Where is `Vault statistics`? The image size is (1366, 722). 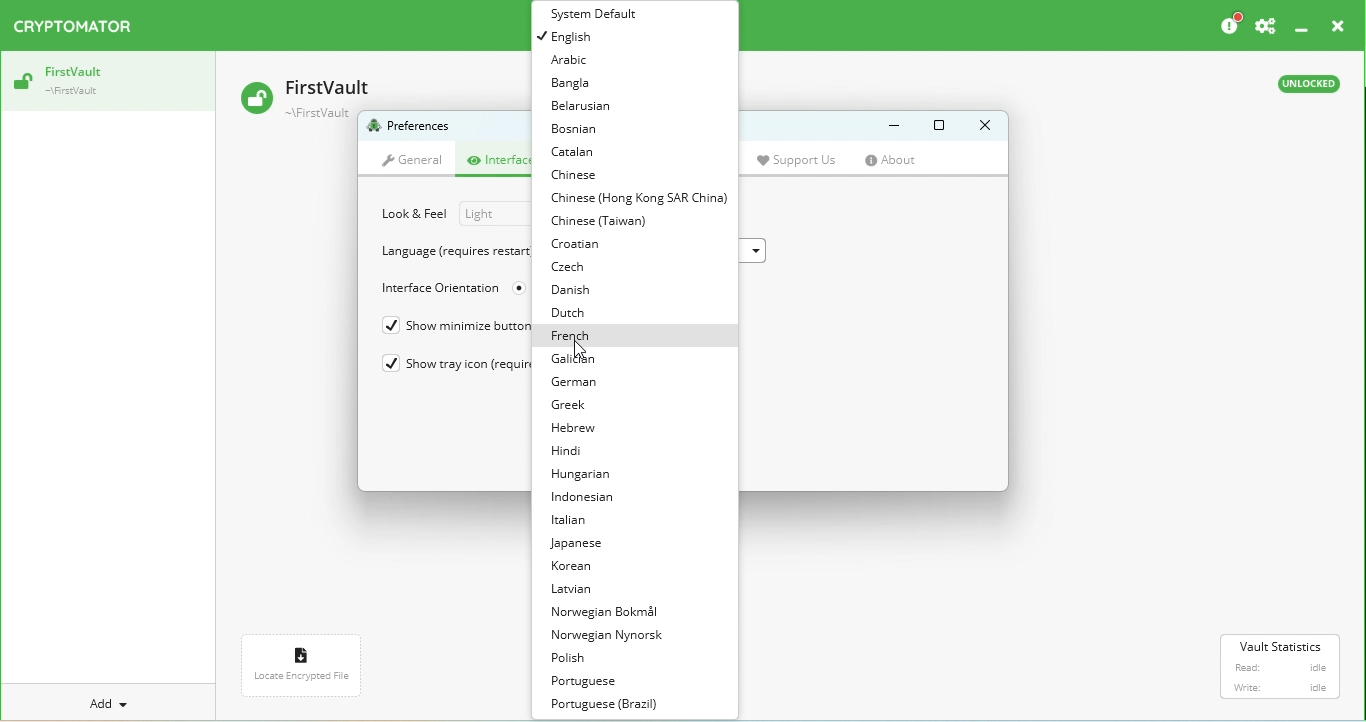 Vault statistics is located at coordinates (1283, 667).